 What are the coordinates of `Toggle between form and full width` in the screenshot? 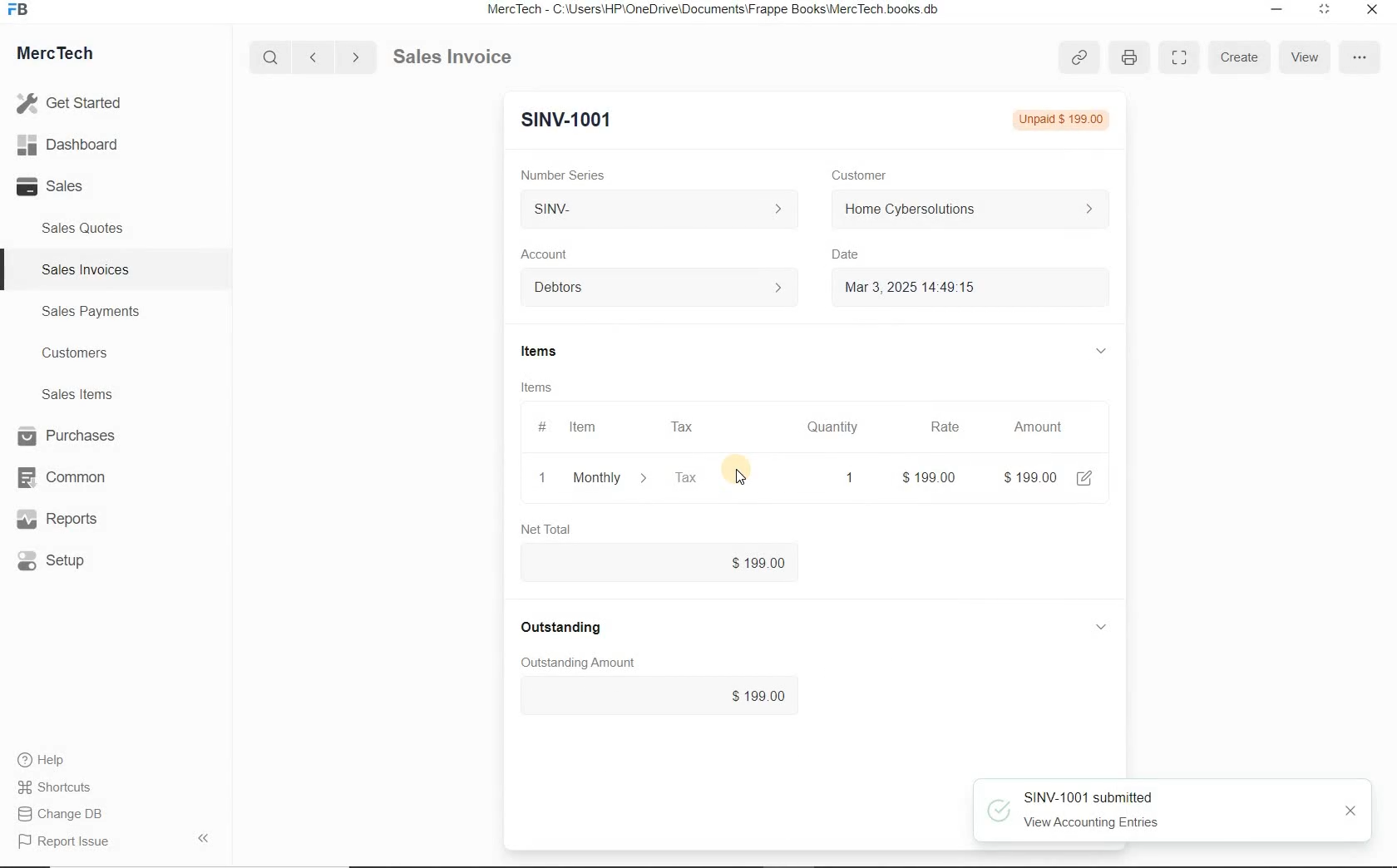 It's located at (1177, 57).